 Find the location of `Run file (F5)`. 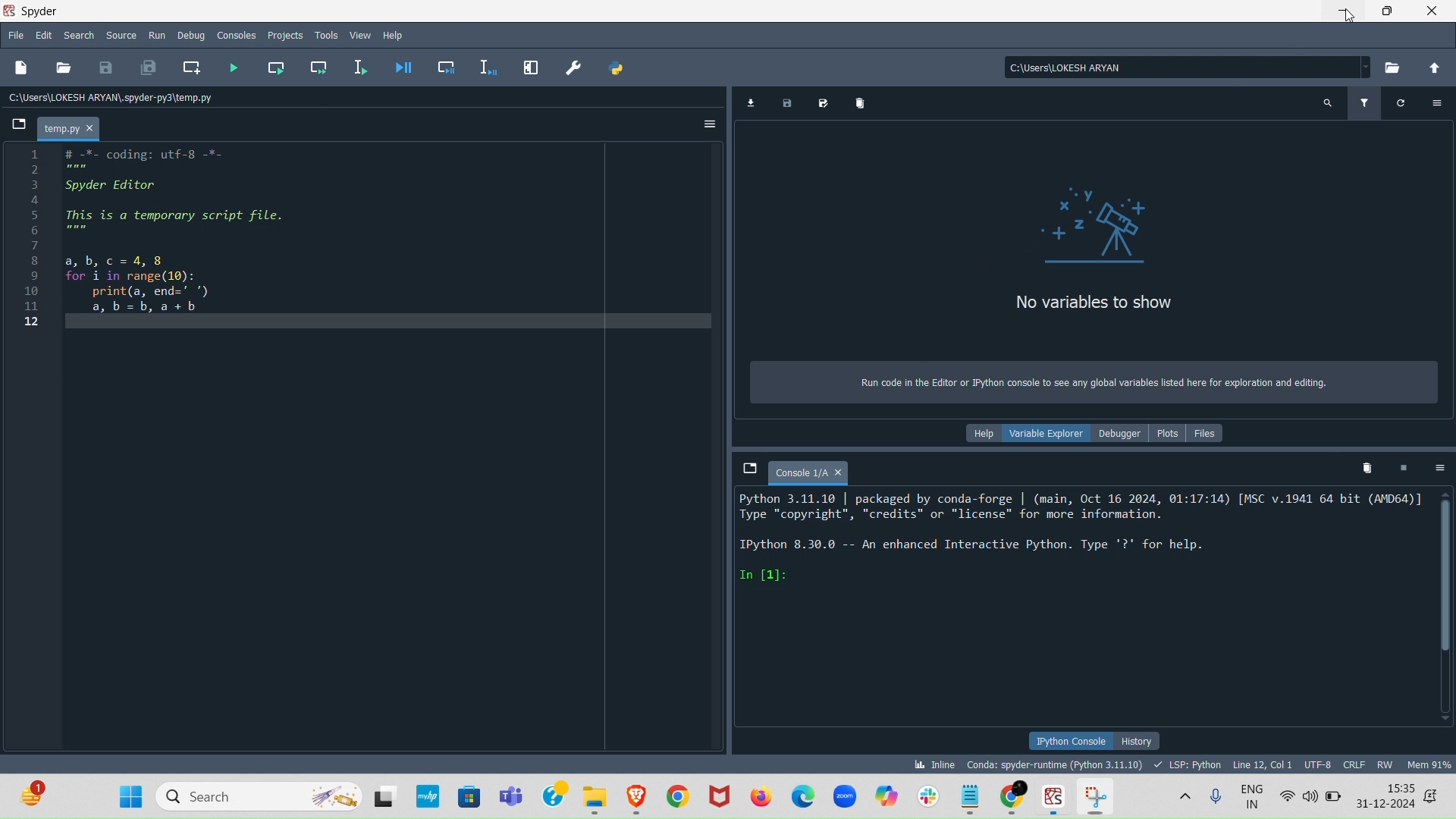

Run file (F5) is located at coordinates (236, 67).